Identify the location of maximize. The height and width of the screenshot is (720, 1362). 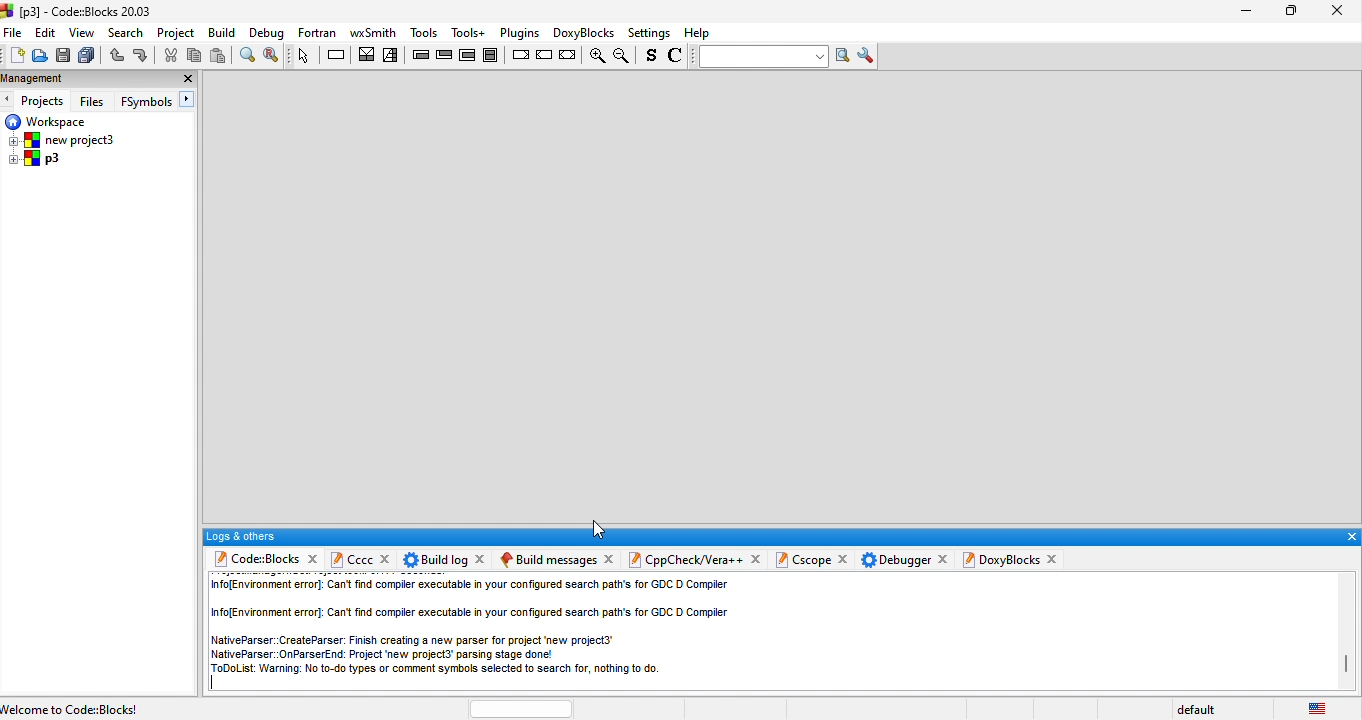
(1286, 12).